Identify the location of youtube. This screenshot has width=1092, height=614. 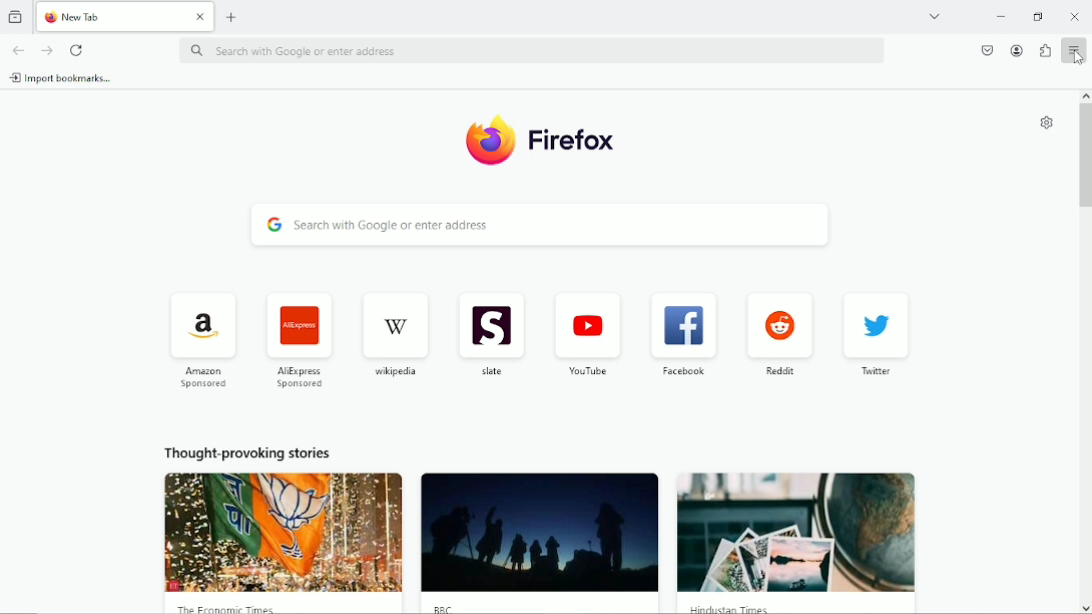
(589, 321).